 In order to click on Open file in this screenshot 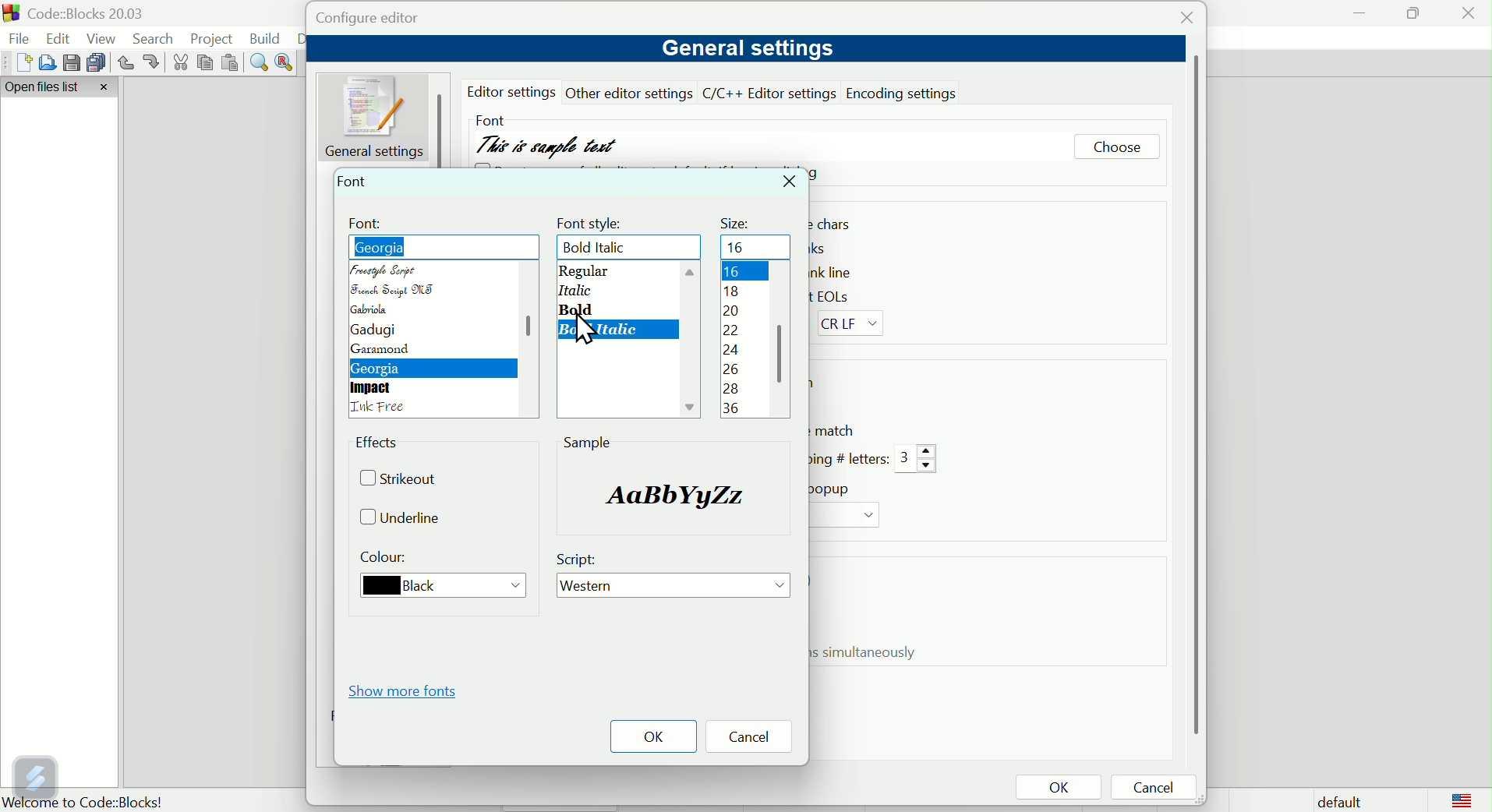, I will do `click(44, 62)`.